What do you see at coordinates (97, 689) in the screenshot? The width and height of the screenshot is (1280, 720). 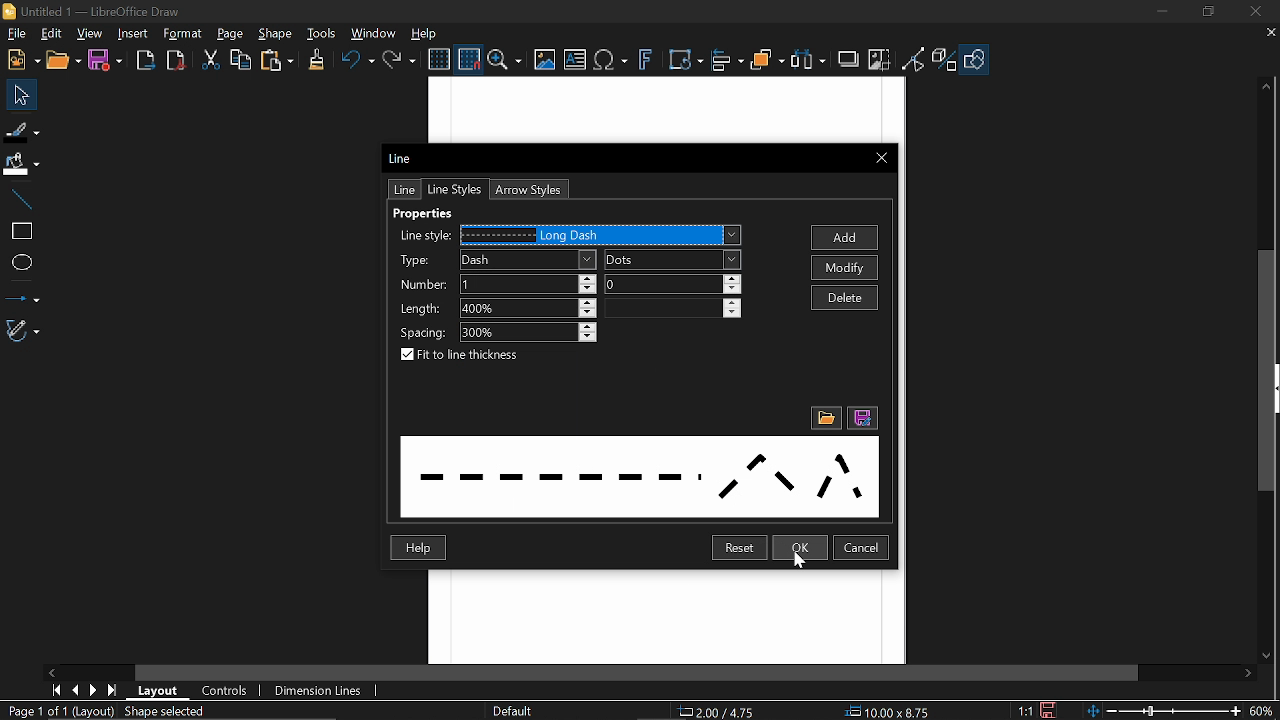 I see `Next page` at bounding box center [97, 689].